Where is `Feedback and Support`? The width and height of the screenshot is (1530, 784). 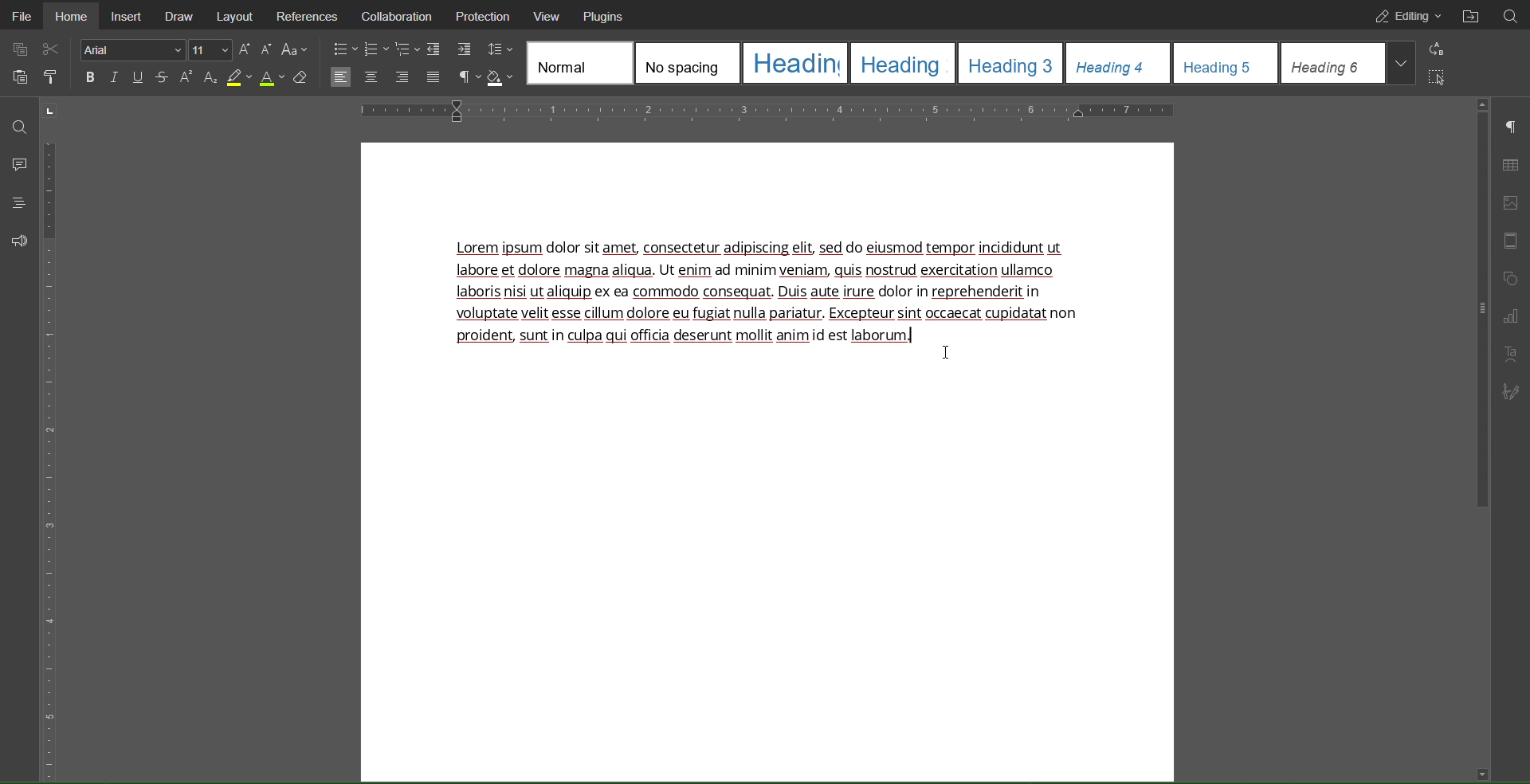 Feedback and Support is located at coordinates (18, 241).